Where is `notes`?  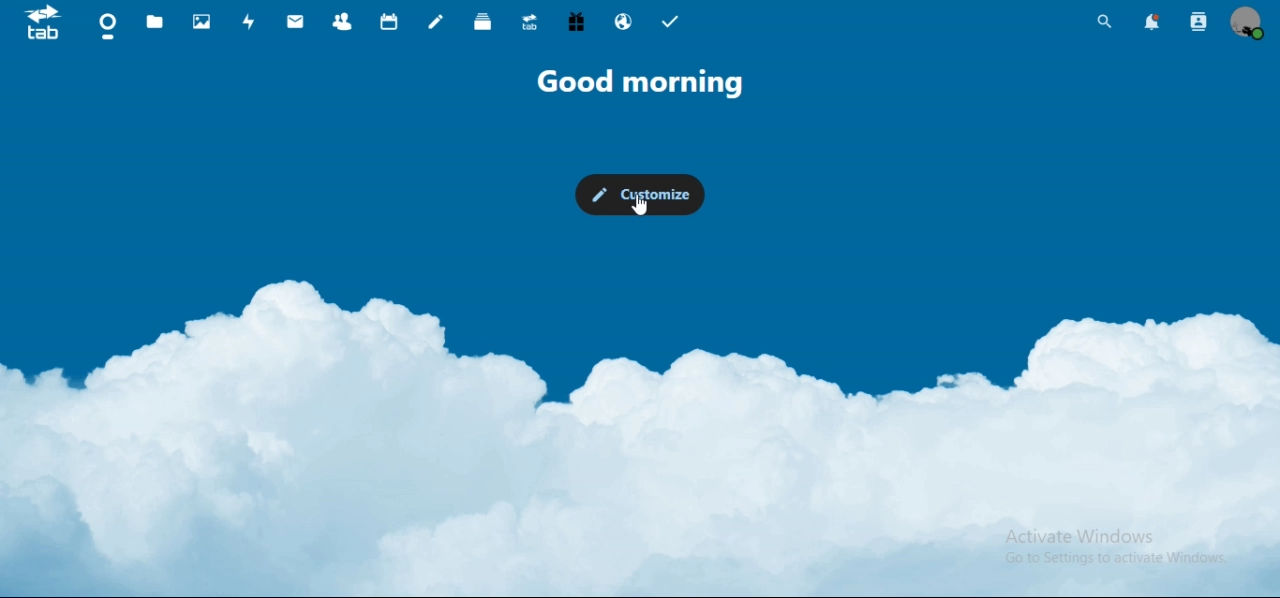
notes is located at coordinates (437, 21).